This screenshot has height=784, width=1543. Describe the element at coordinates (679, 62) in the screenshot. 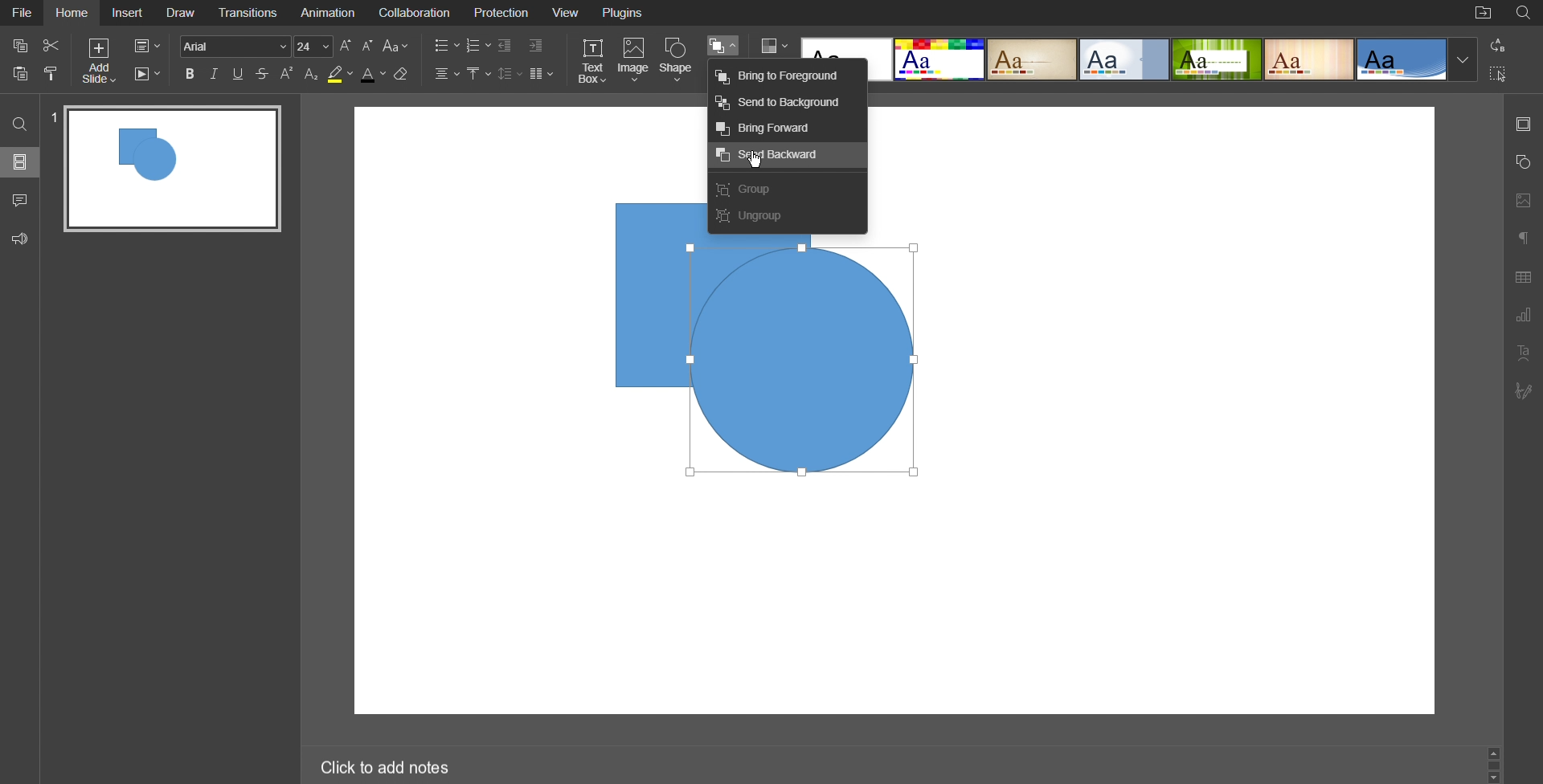

I see `Shape` at that location.